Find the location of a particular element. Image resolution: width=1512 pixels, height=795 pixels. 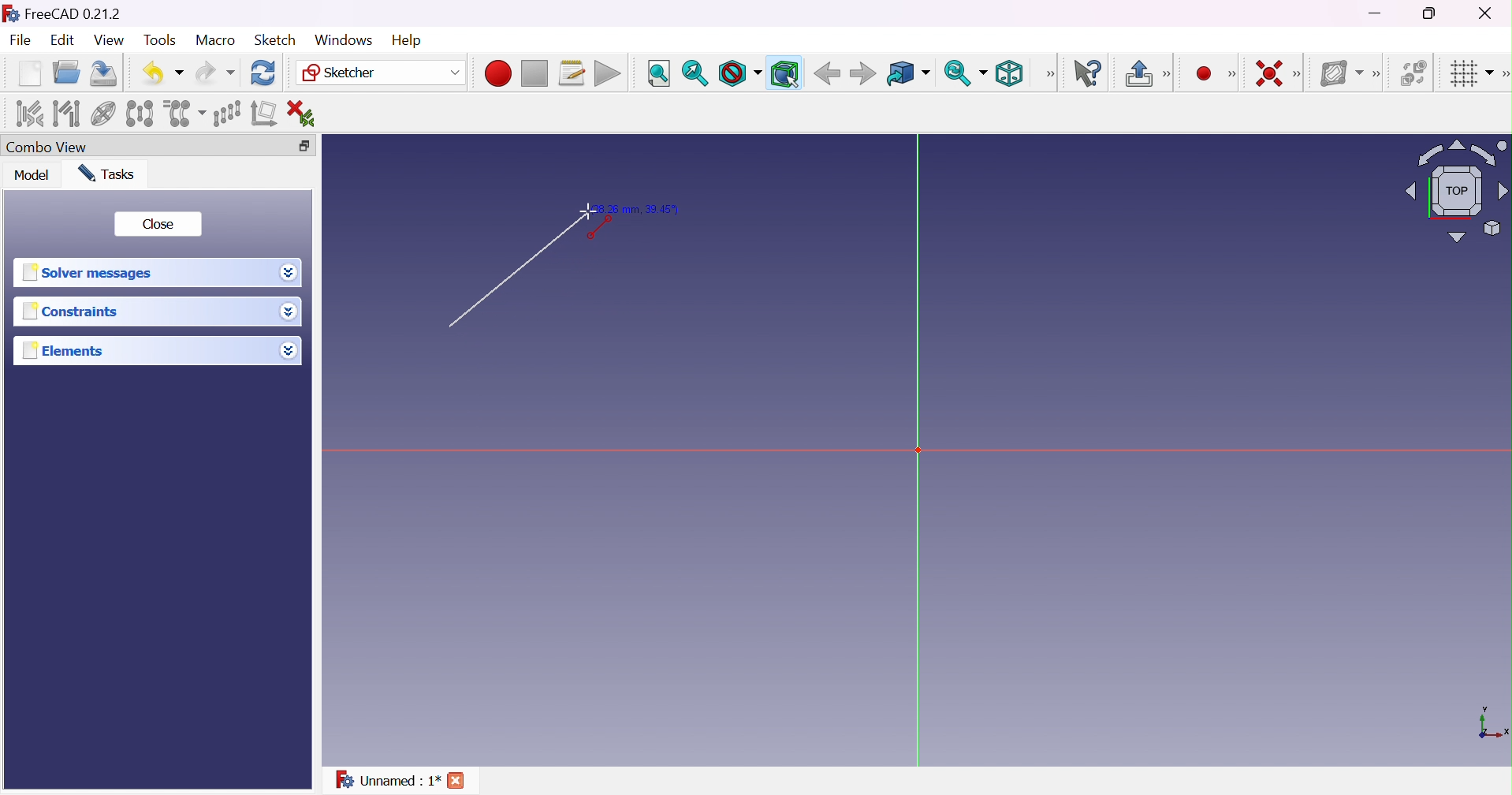

Model is located at coordinates (32, 176).